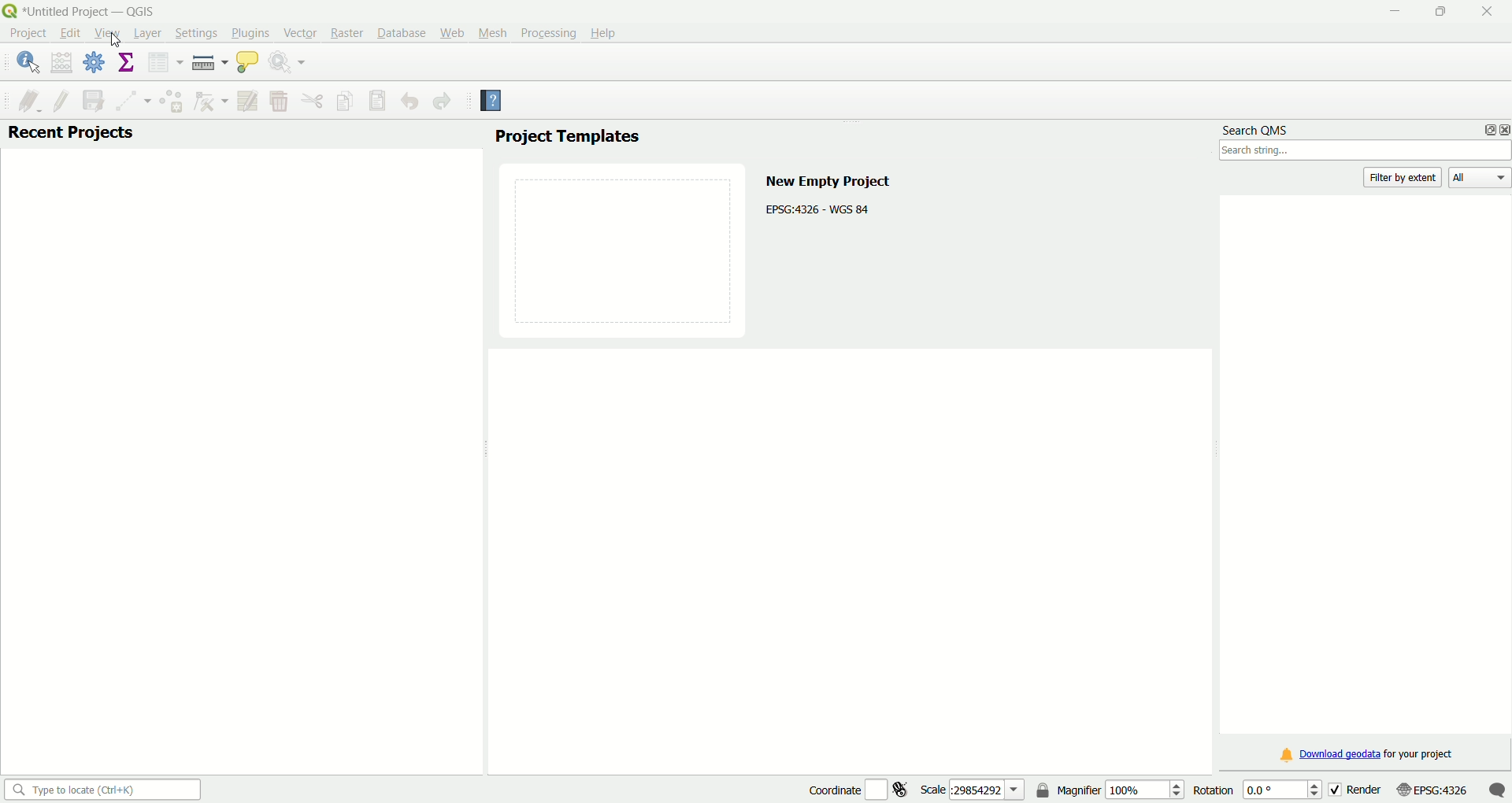  What do you see at coordinates (28, 62) in the screenshot?
I see `identify feature` at bounding box center [28, 62].